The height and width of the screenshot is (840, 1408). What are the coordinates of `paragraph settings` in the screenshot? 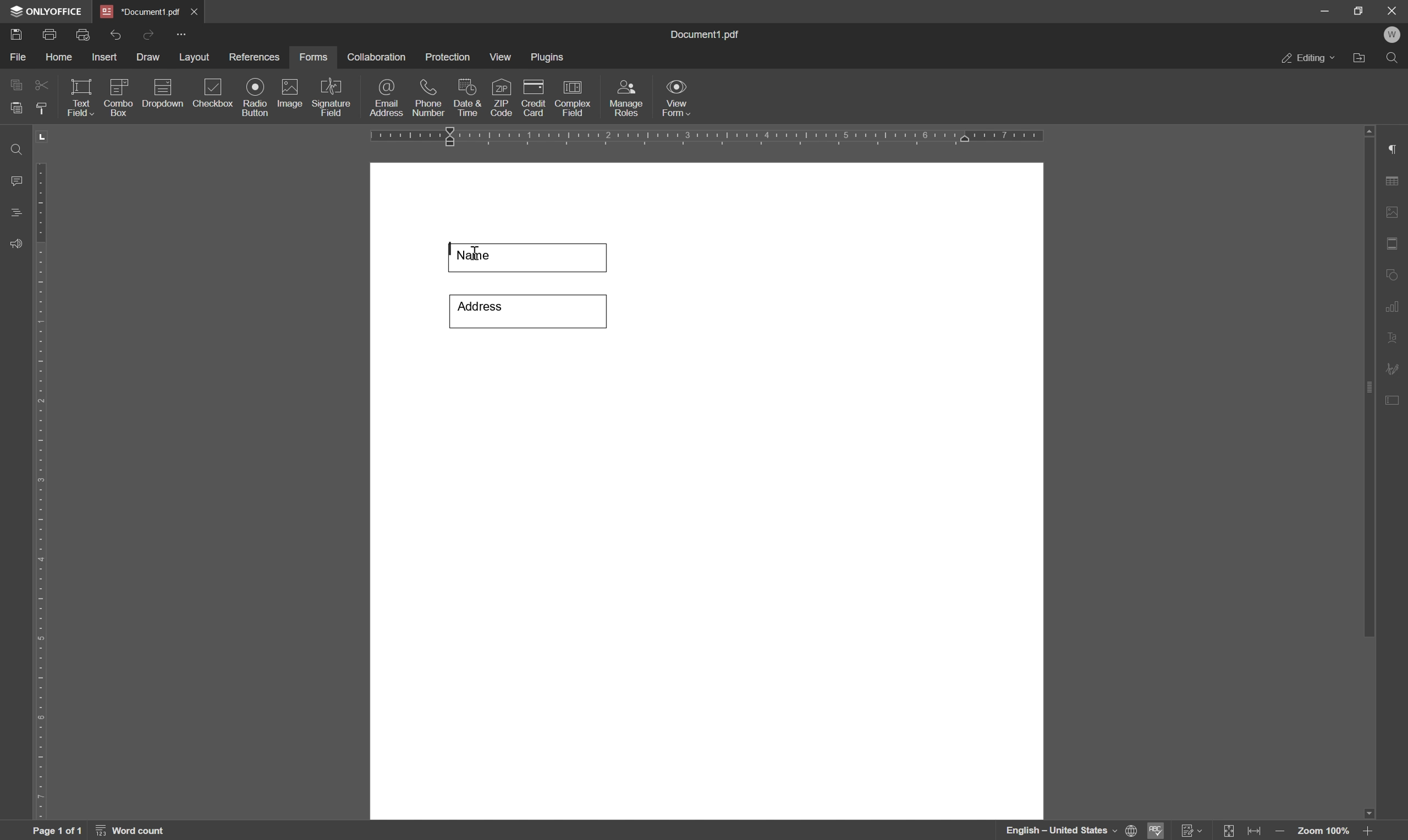 It's located at (1398, 149).